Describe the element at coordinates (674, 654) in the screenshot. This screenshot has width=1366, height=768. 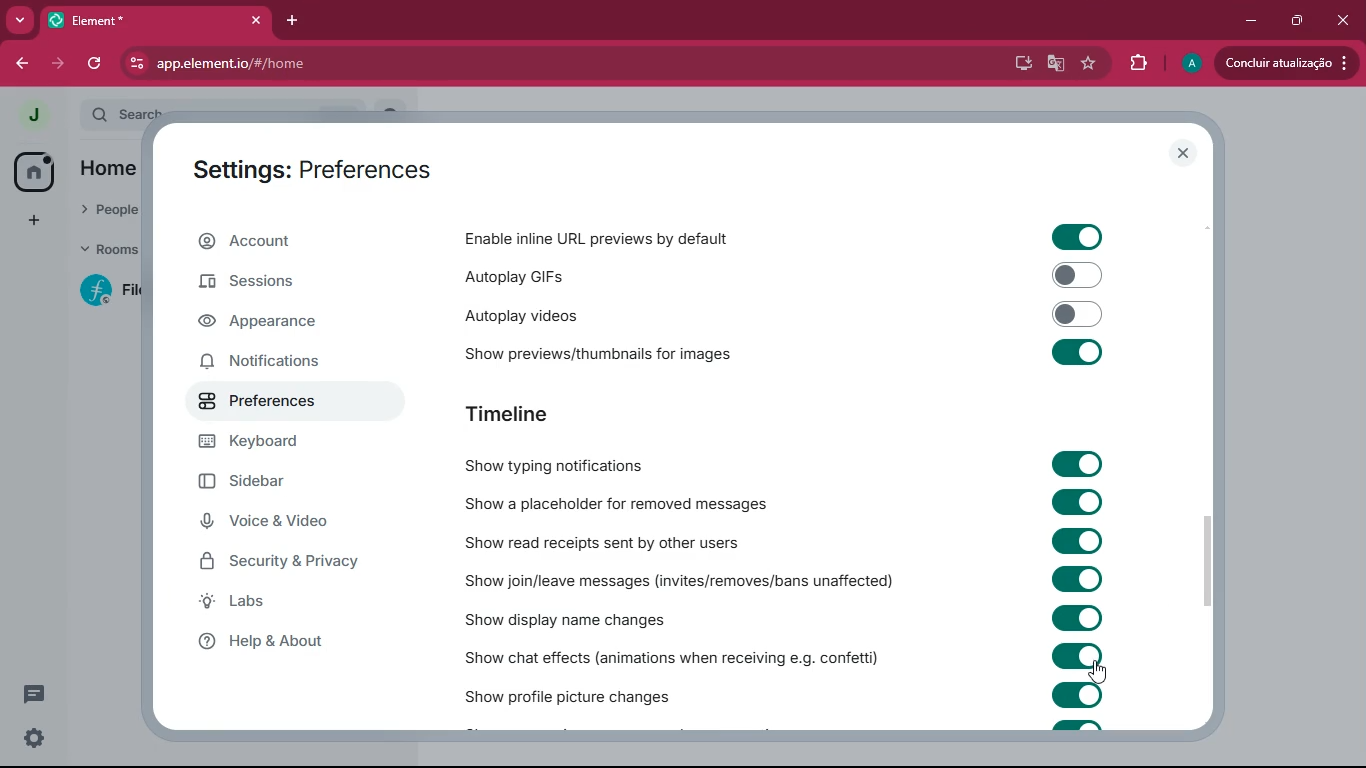
I see `show chat effects (animations when receiving e.g. confetti)` at that location.